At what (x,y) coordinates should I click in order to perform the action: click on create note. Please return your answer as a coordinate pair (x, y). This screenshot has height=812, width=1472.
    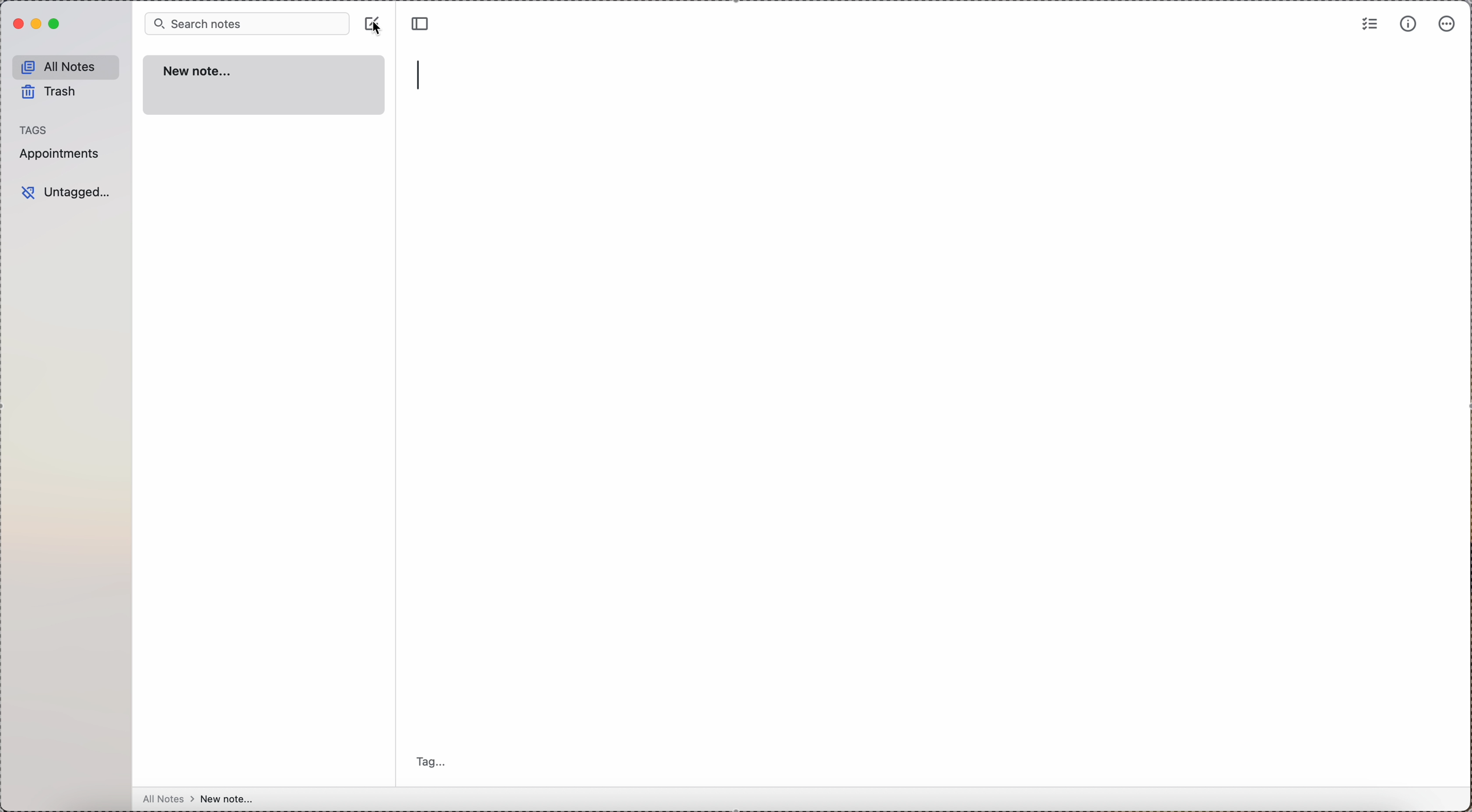
    Looking at the image, I should click on (369, 19).